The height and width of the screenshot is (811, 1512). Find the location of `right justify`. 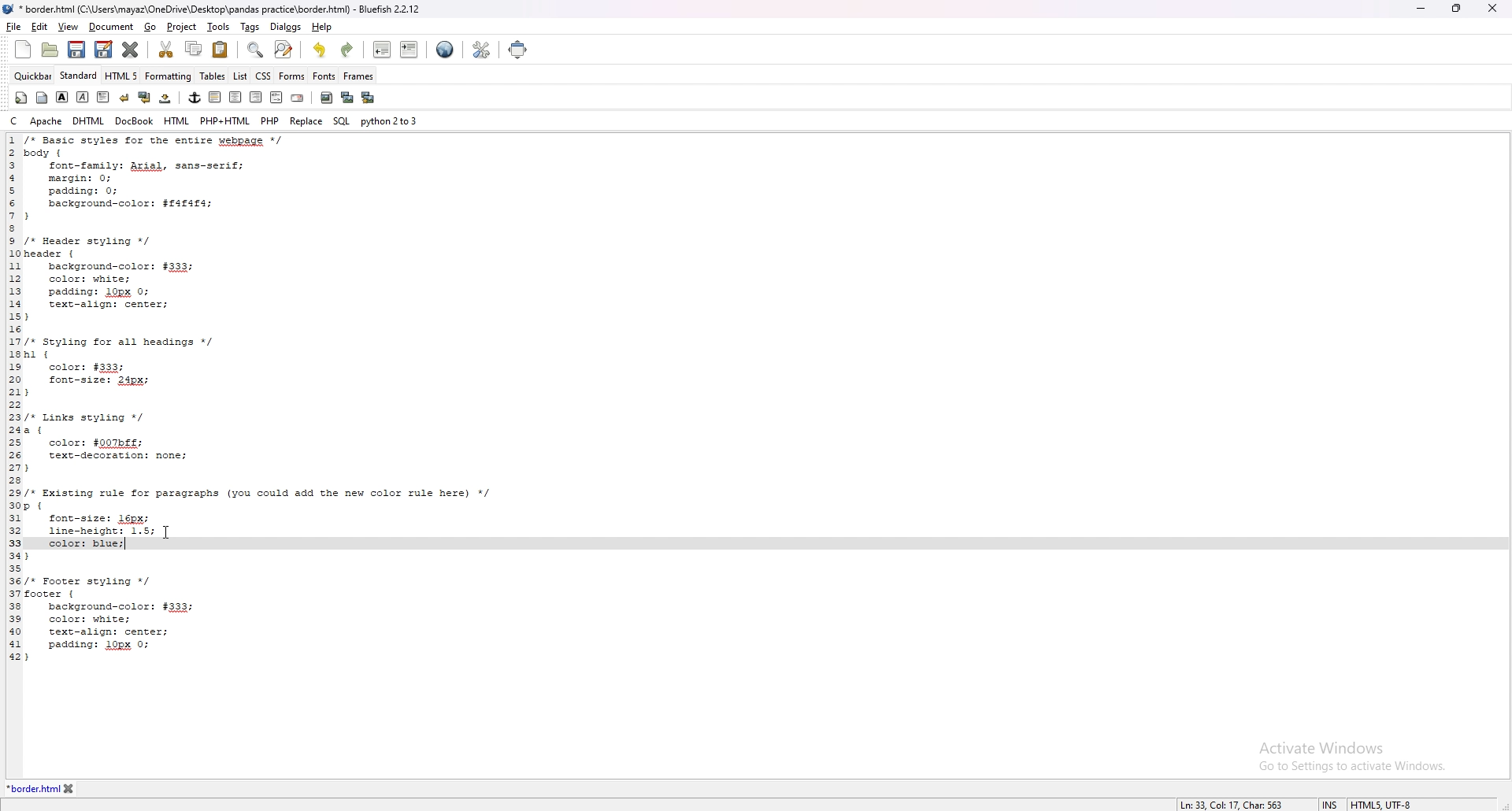

right justify is located at coordinates (258, 97).